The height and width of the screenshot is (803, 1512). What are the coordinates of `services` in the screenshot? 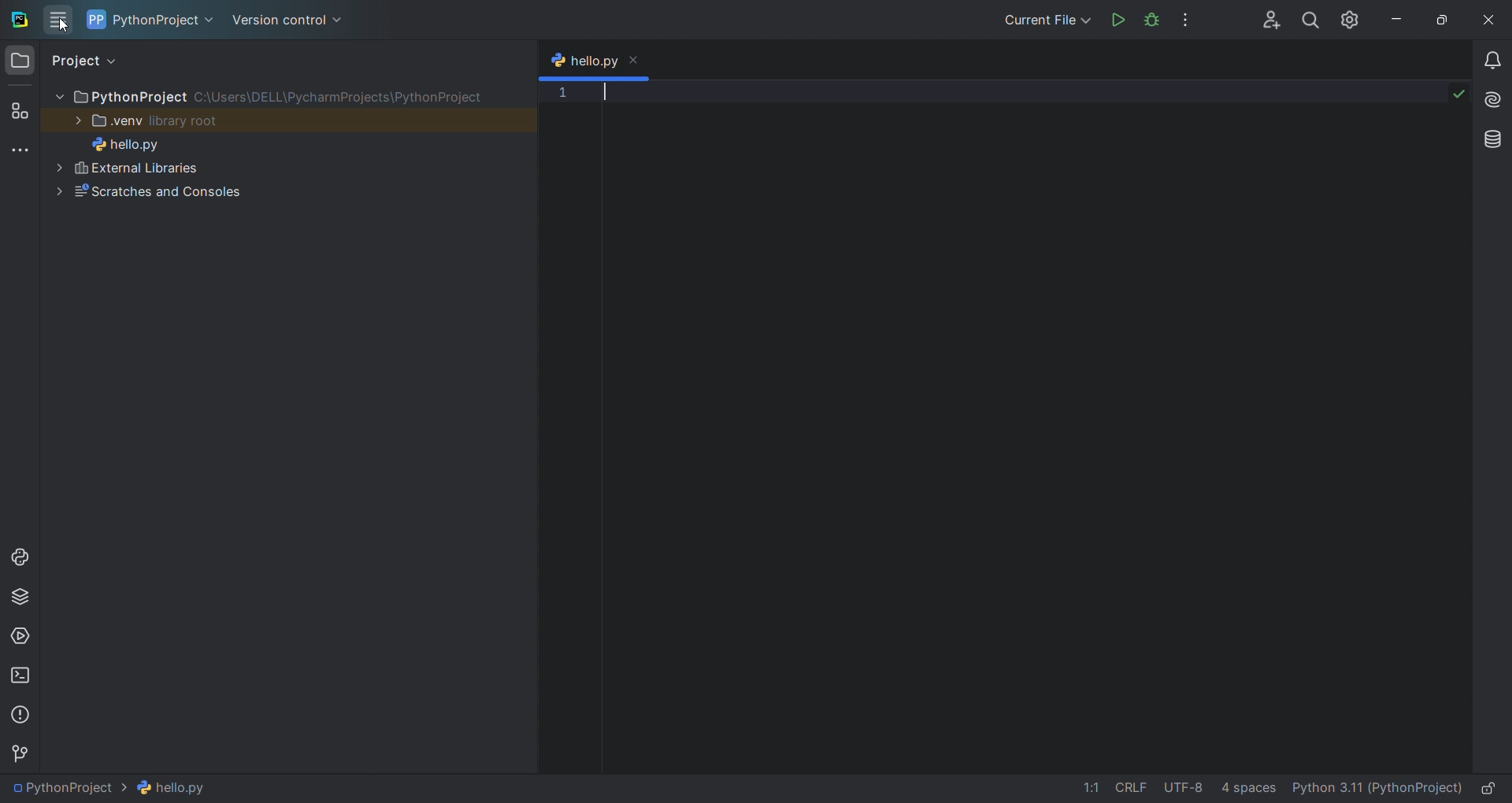 It's located at (20, 638).